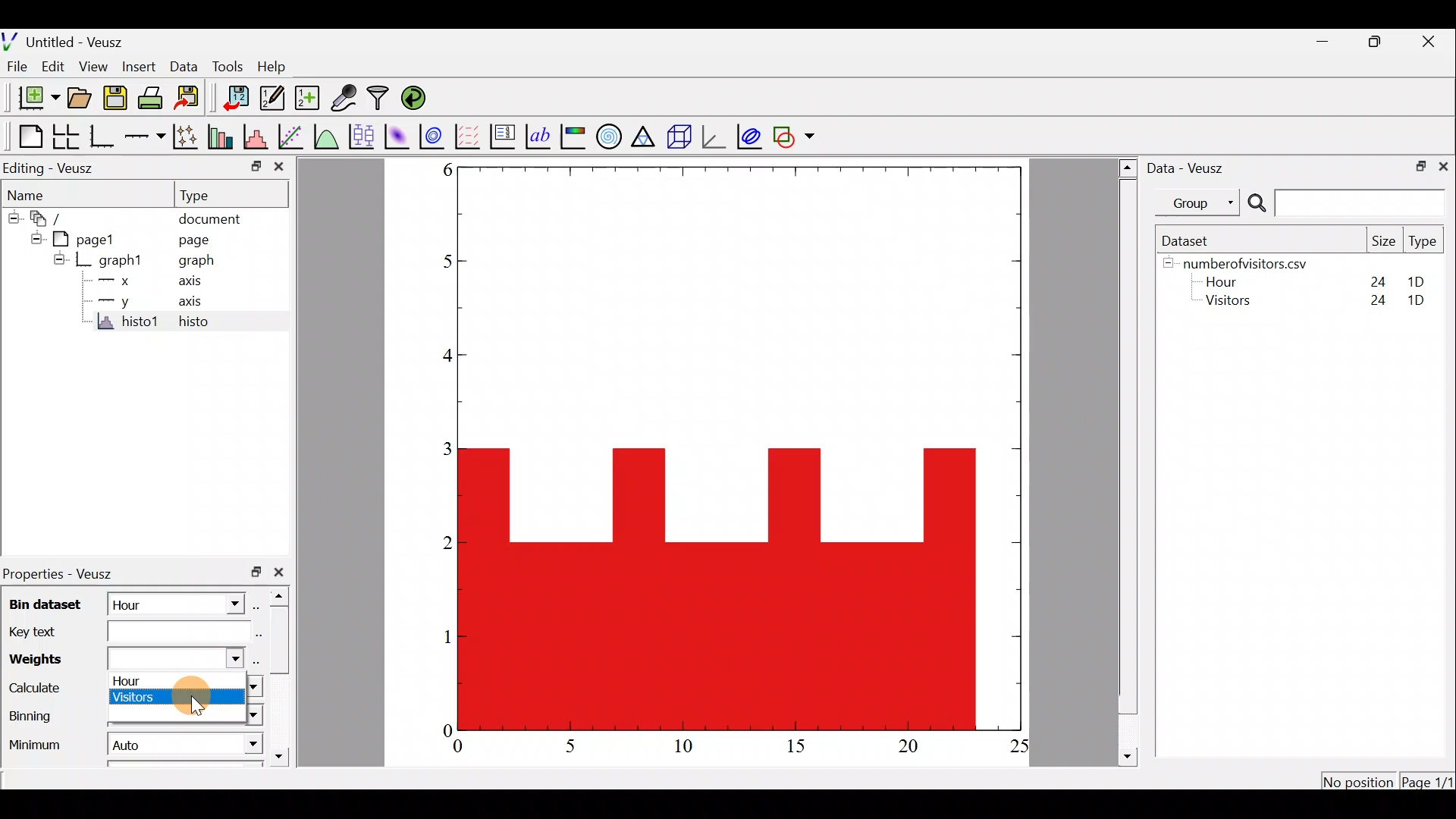 The width and height of the screenshot is (1456, 819). What do you see at coordinates (717, 136) in the screenshot?
I see `3d graph` at bounding box center [717, 136].